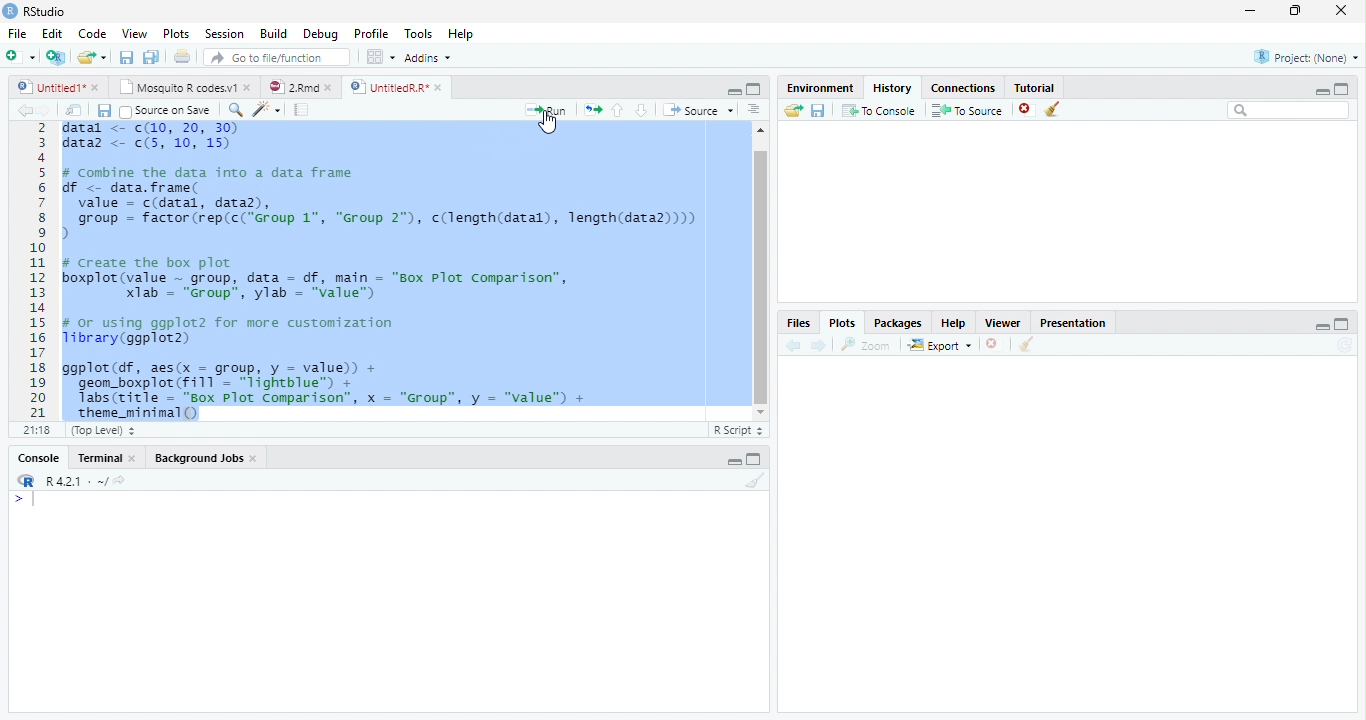 This screenshot has width=1366, height=720. I want to click on Save history into a file, so click(819, 110).